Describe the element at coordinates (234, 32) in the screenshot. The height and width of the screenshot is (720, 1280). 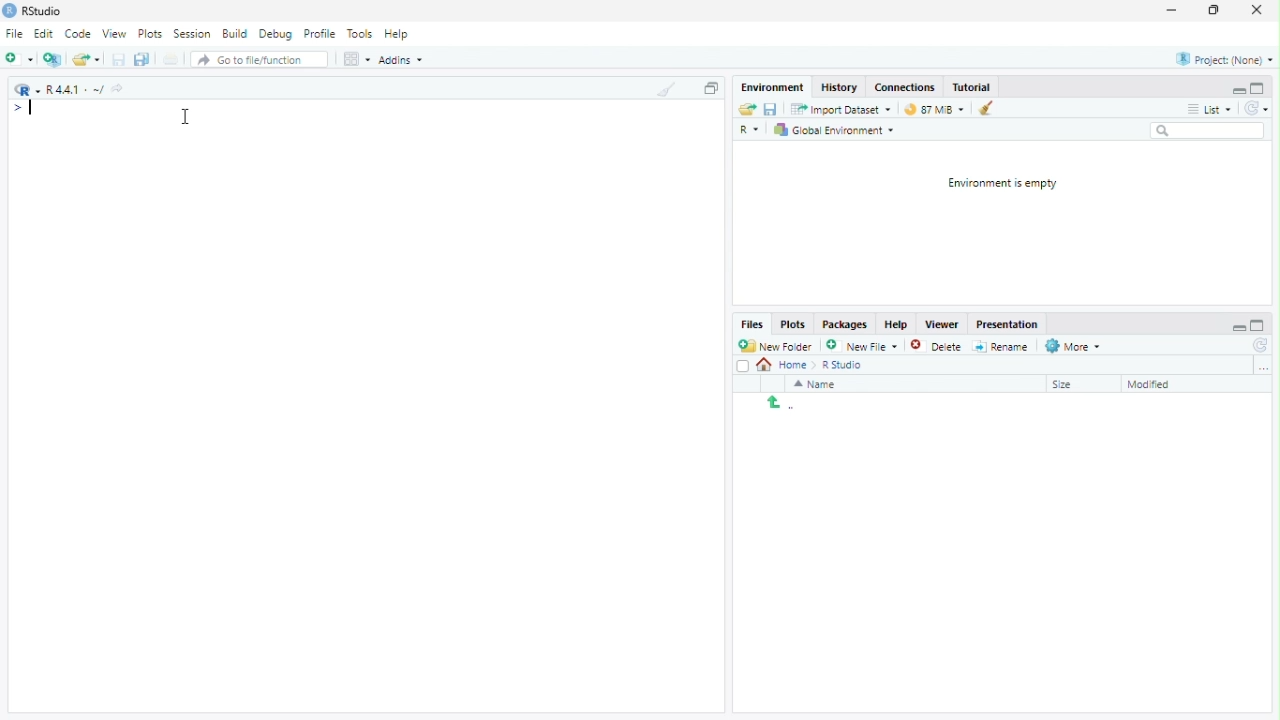
I see `Build` at that location.